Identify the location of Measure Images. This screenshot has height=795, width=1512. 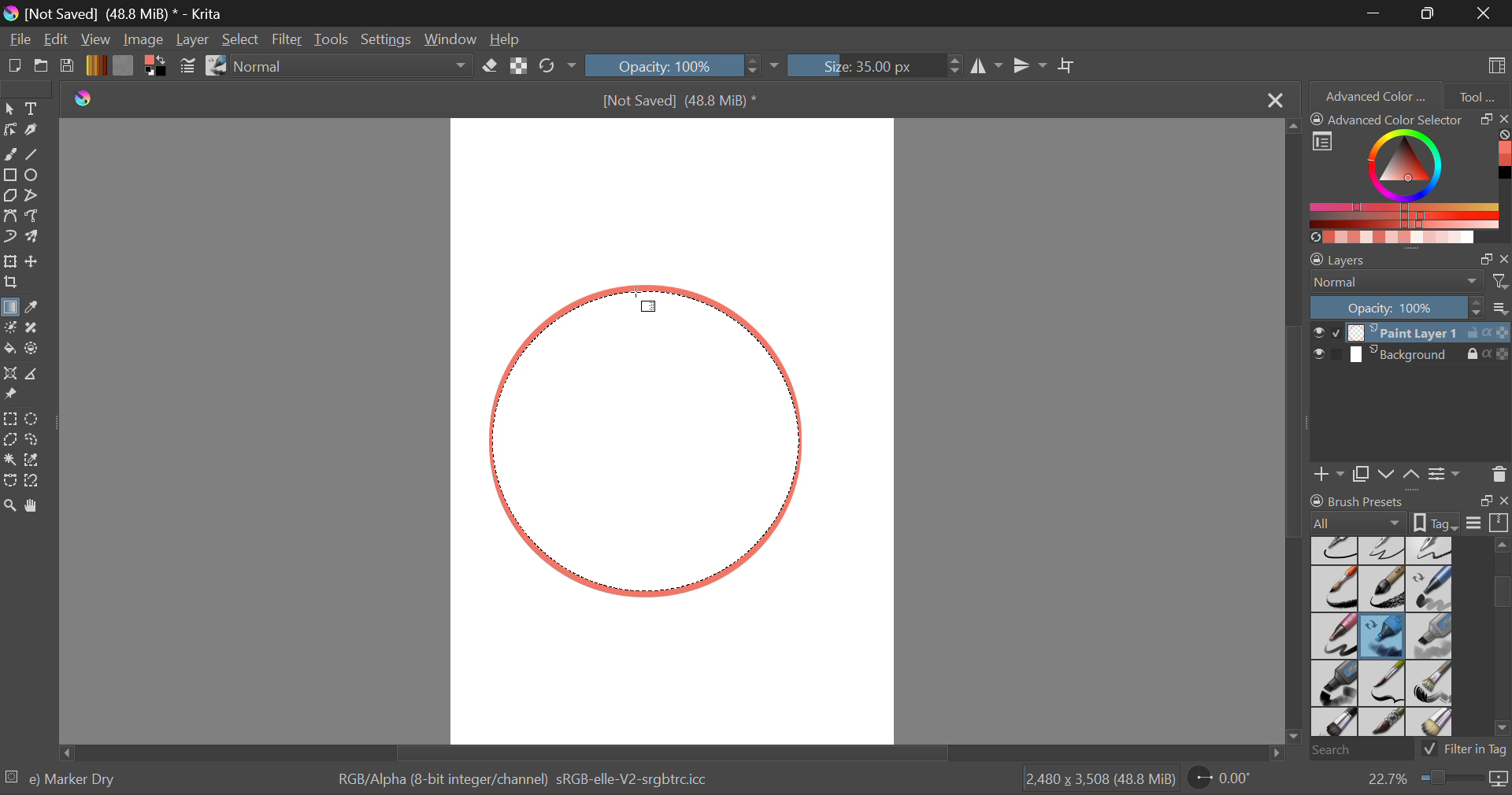
(34, 376).